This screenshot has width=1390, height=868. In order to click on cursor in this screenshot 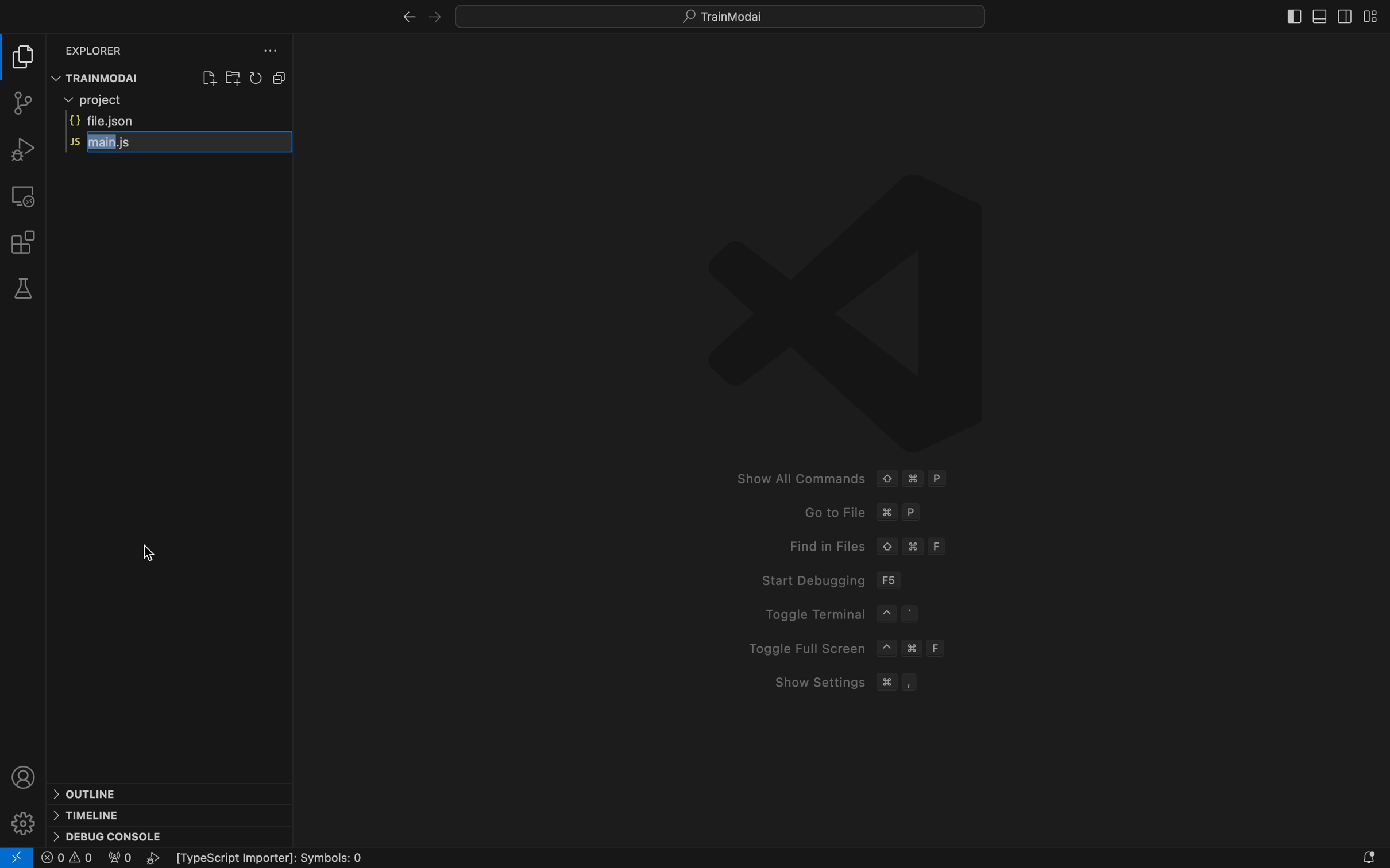, I will do `click(147, 553)`.